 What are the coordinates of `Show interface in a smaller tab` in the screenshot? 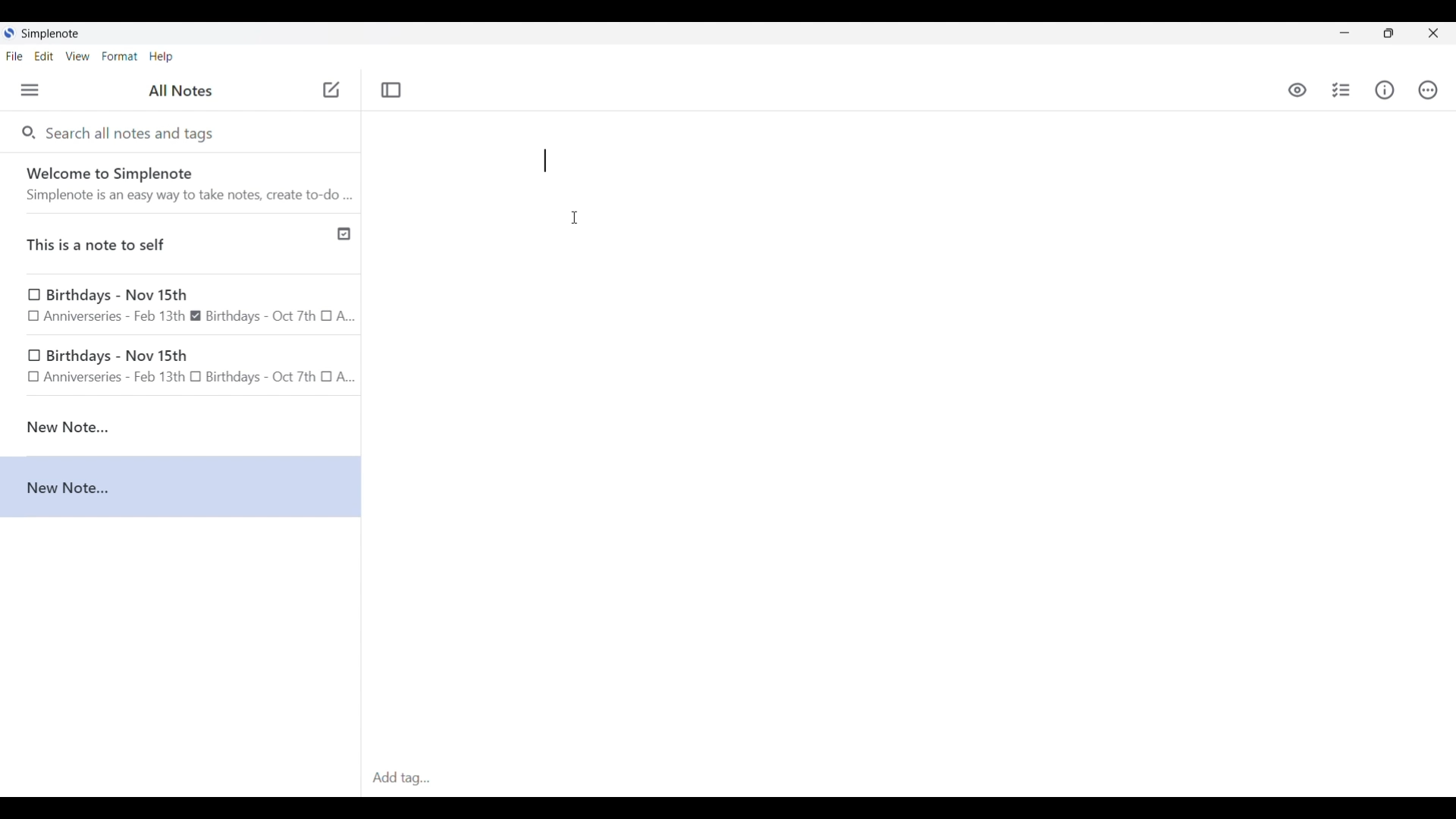 It's located at (1389, 33).